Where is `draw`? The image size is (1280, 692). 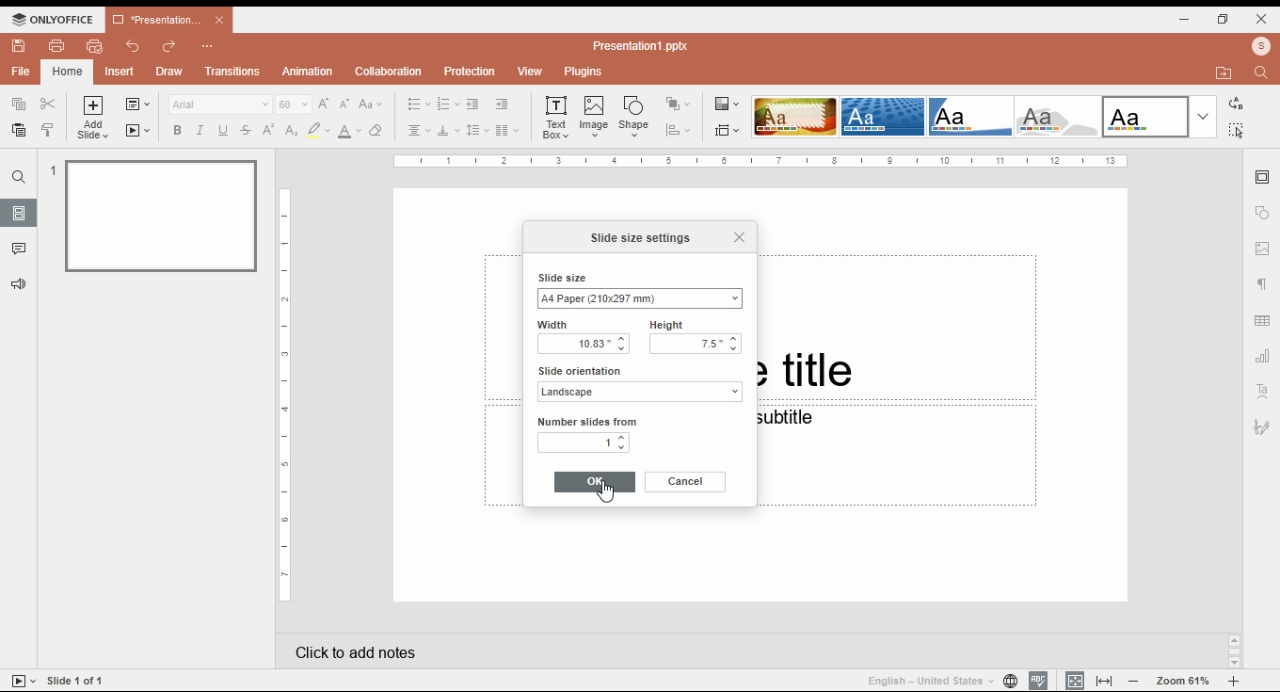 draw is located at coordinates (171, 71).